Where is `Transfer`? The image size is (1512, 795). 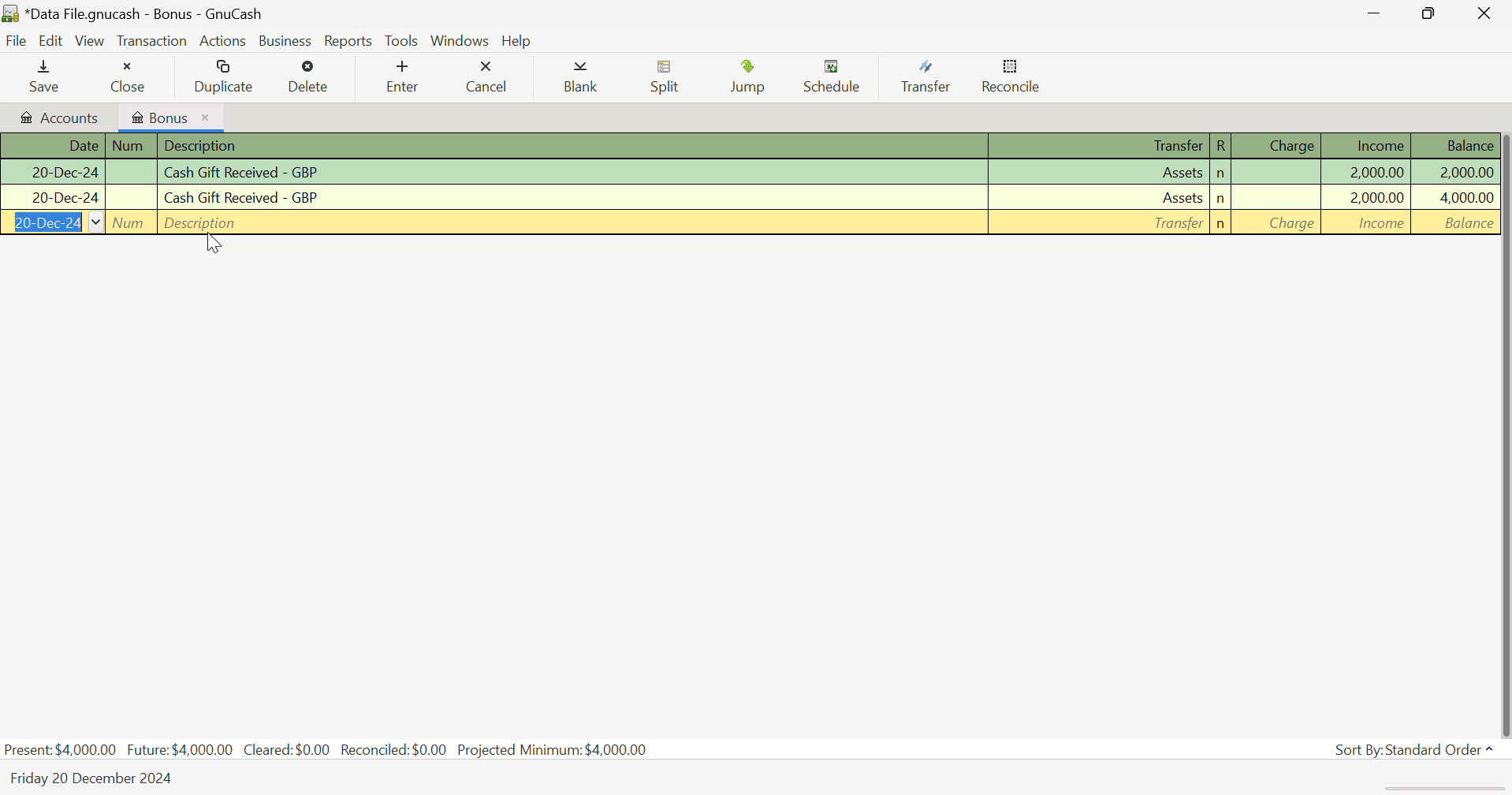
Transfer is located at coordinates (1100, 222).